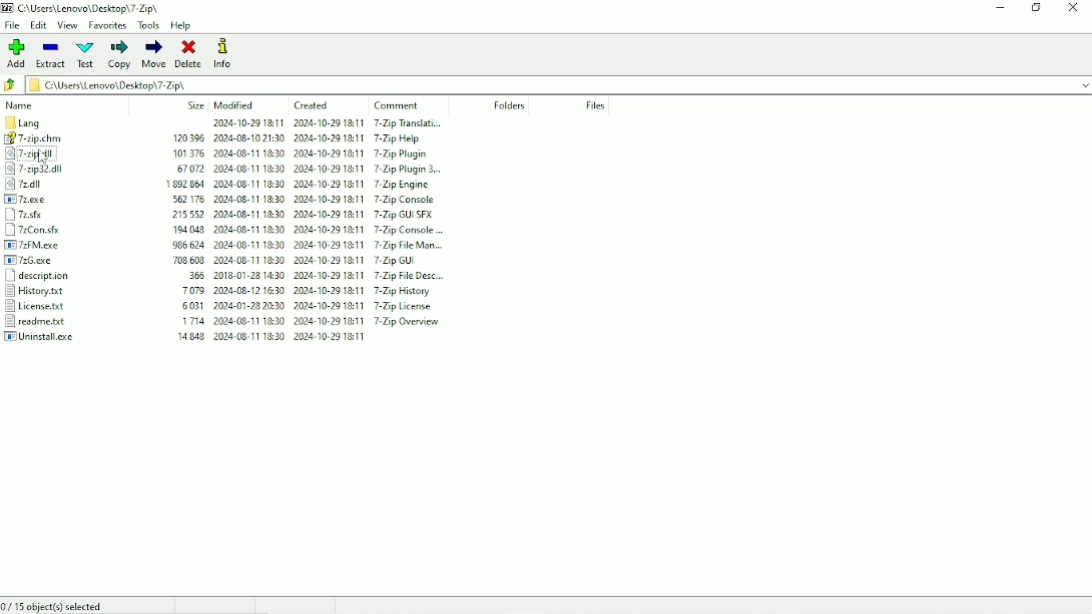  I want to click on 0/15 object(s) selected, so click(54, 606).